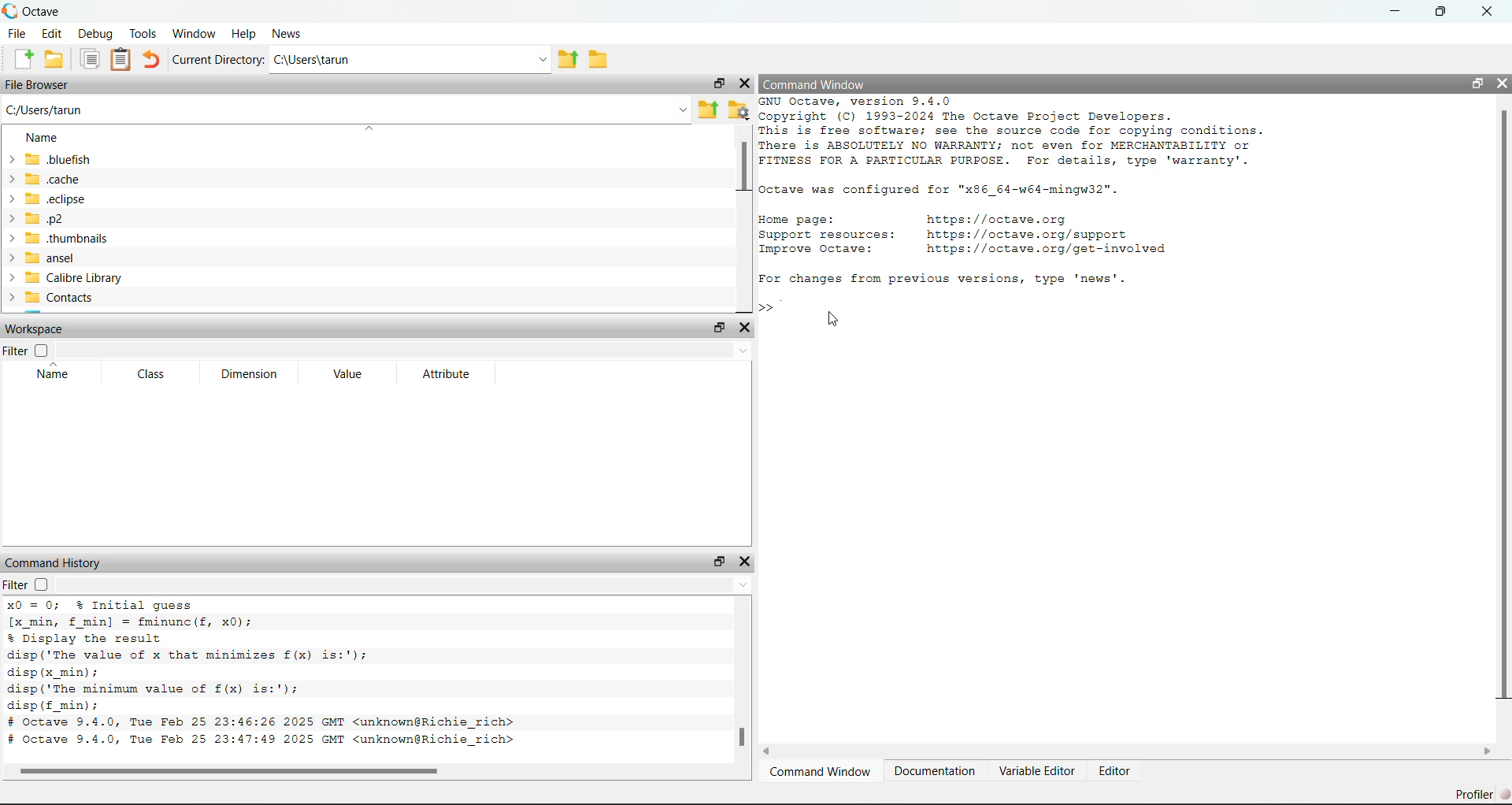 This screenshot has height=805, width=1512. What do you see at coordinates (46, 218) in the screenshot?
I see `>  p2` at bounding box center [46, 218].